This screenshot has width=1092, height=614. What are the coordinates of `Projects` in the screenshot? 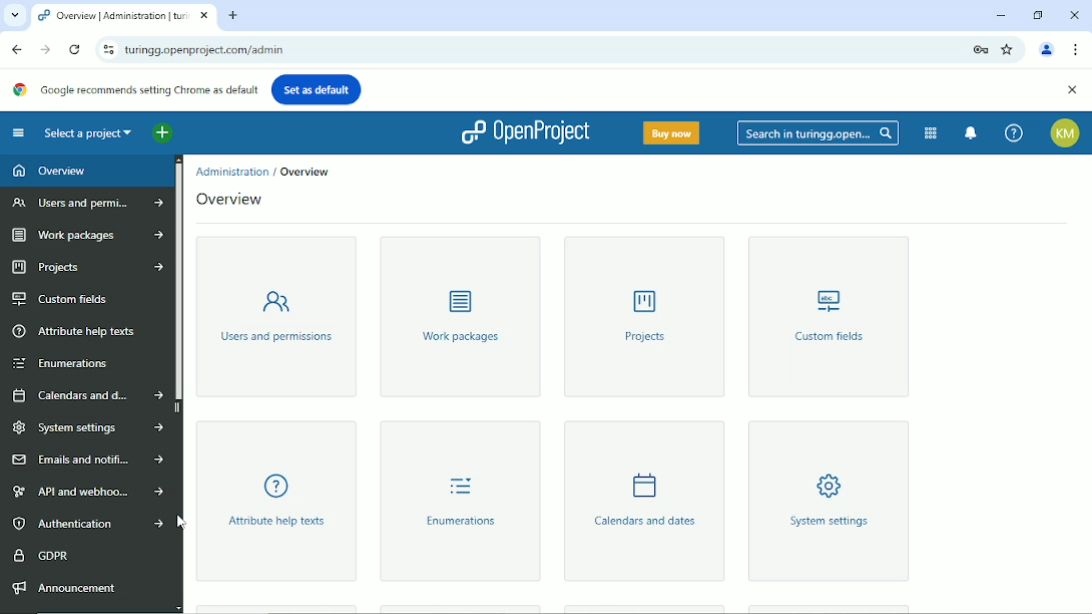 It's located at (645, 317).